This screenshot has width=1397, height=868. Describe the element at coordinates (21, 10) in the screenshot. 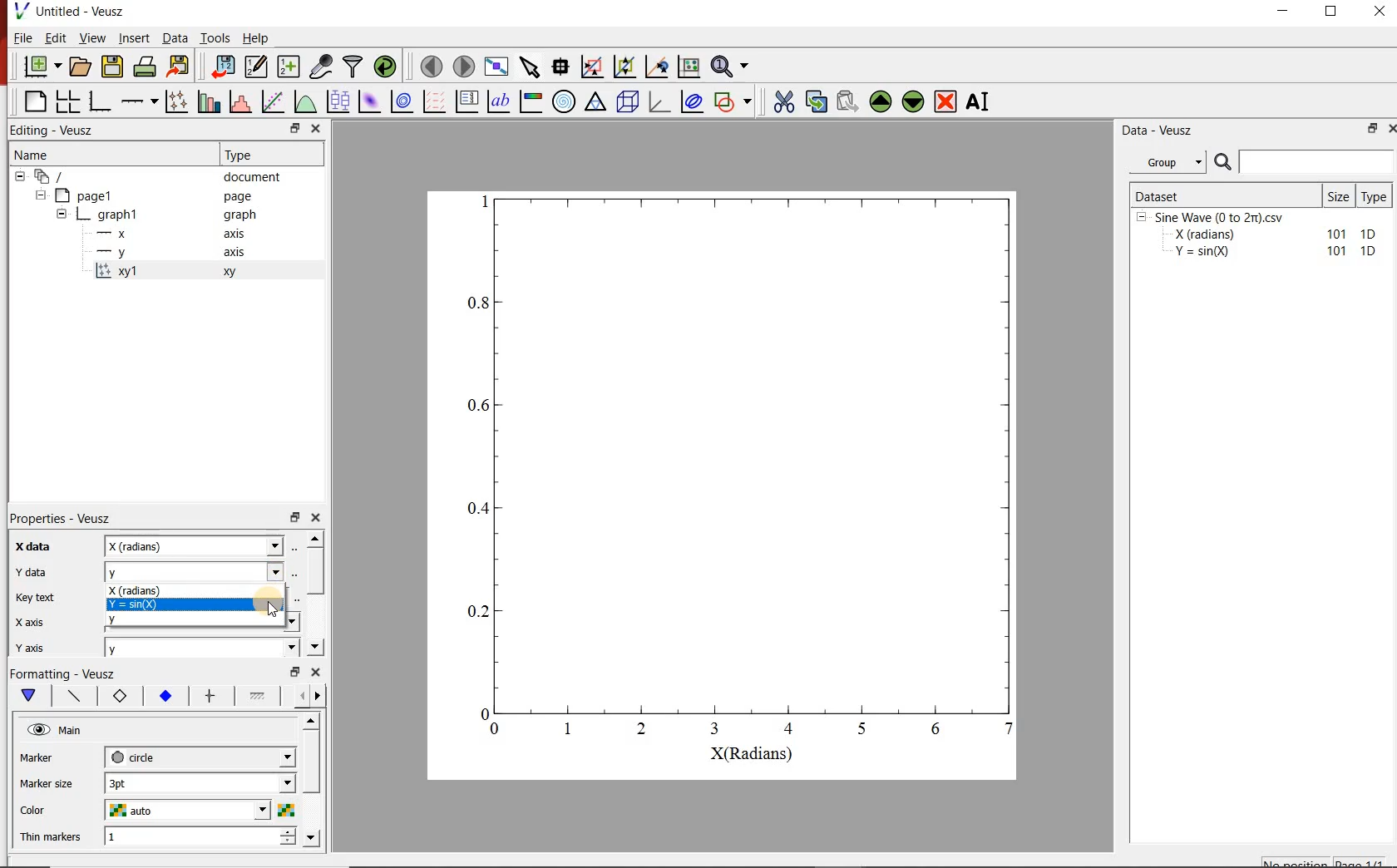

I see `Logo` at that location.